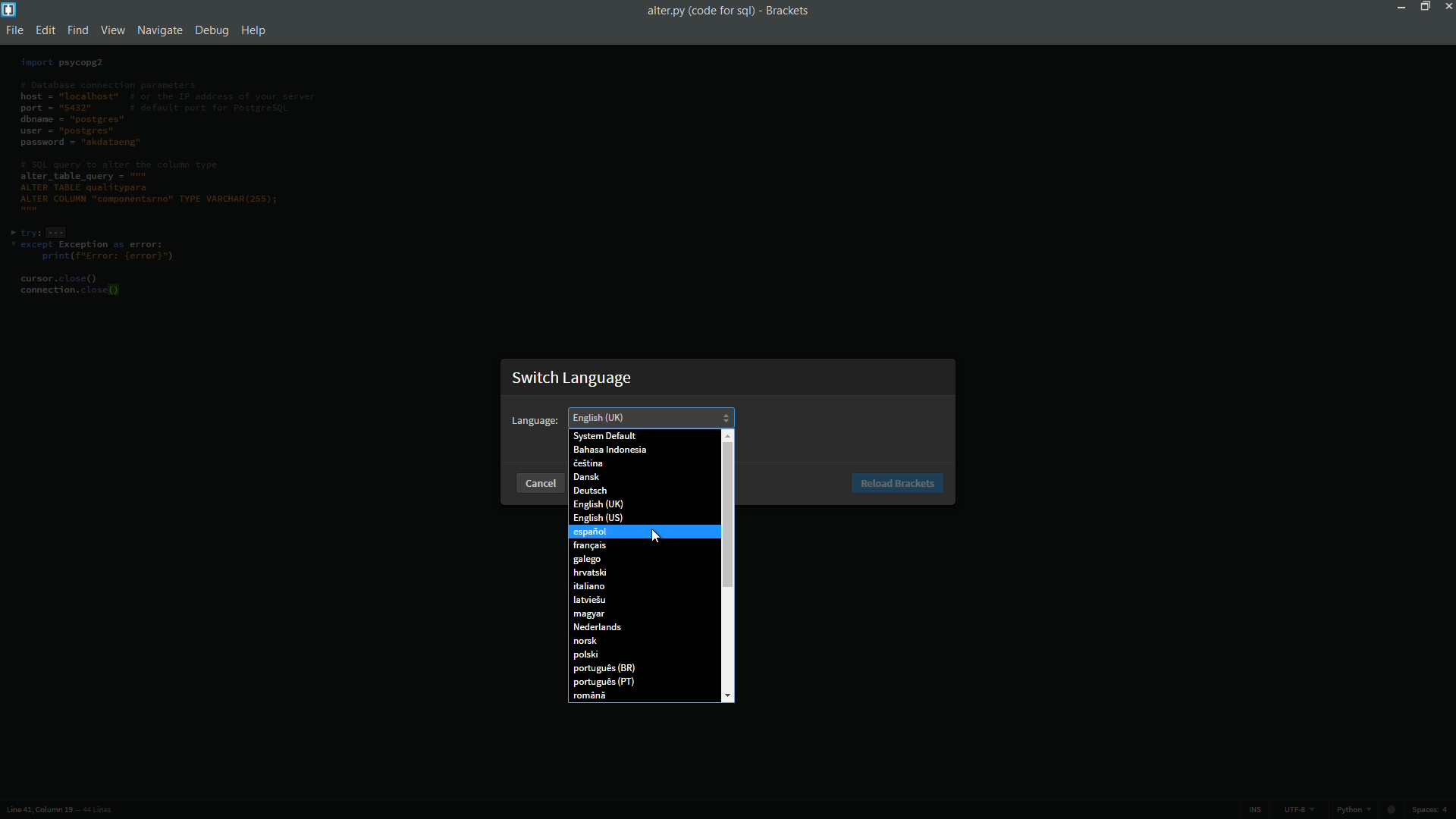 This screenshot has width=1456, height=819. Describe the element at coordinates (111, 30) in the screenshot. I see `view menu` at that location.